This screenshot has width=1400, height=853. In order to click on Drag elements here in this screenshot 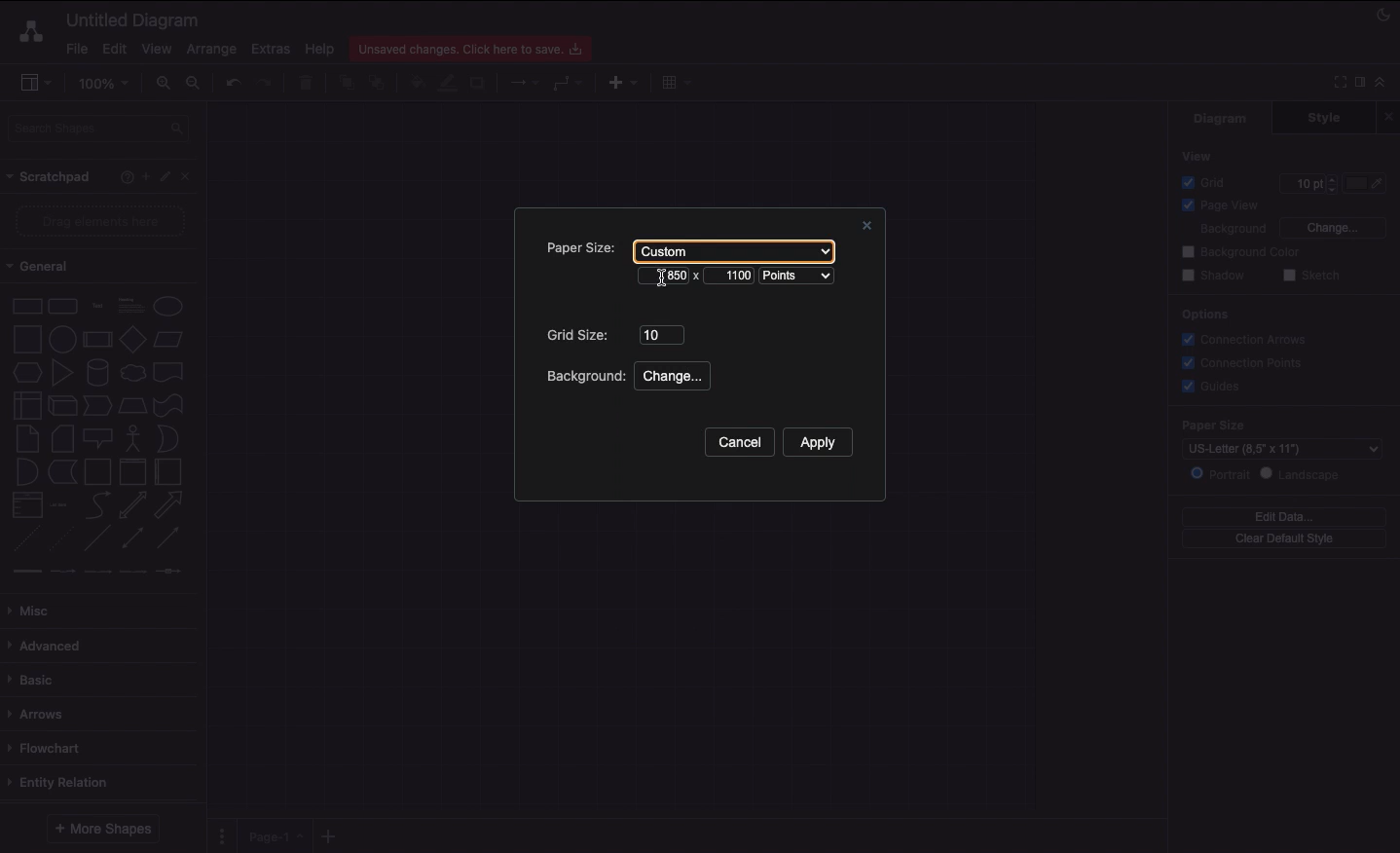, I will do `click(103, 221)`.